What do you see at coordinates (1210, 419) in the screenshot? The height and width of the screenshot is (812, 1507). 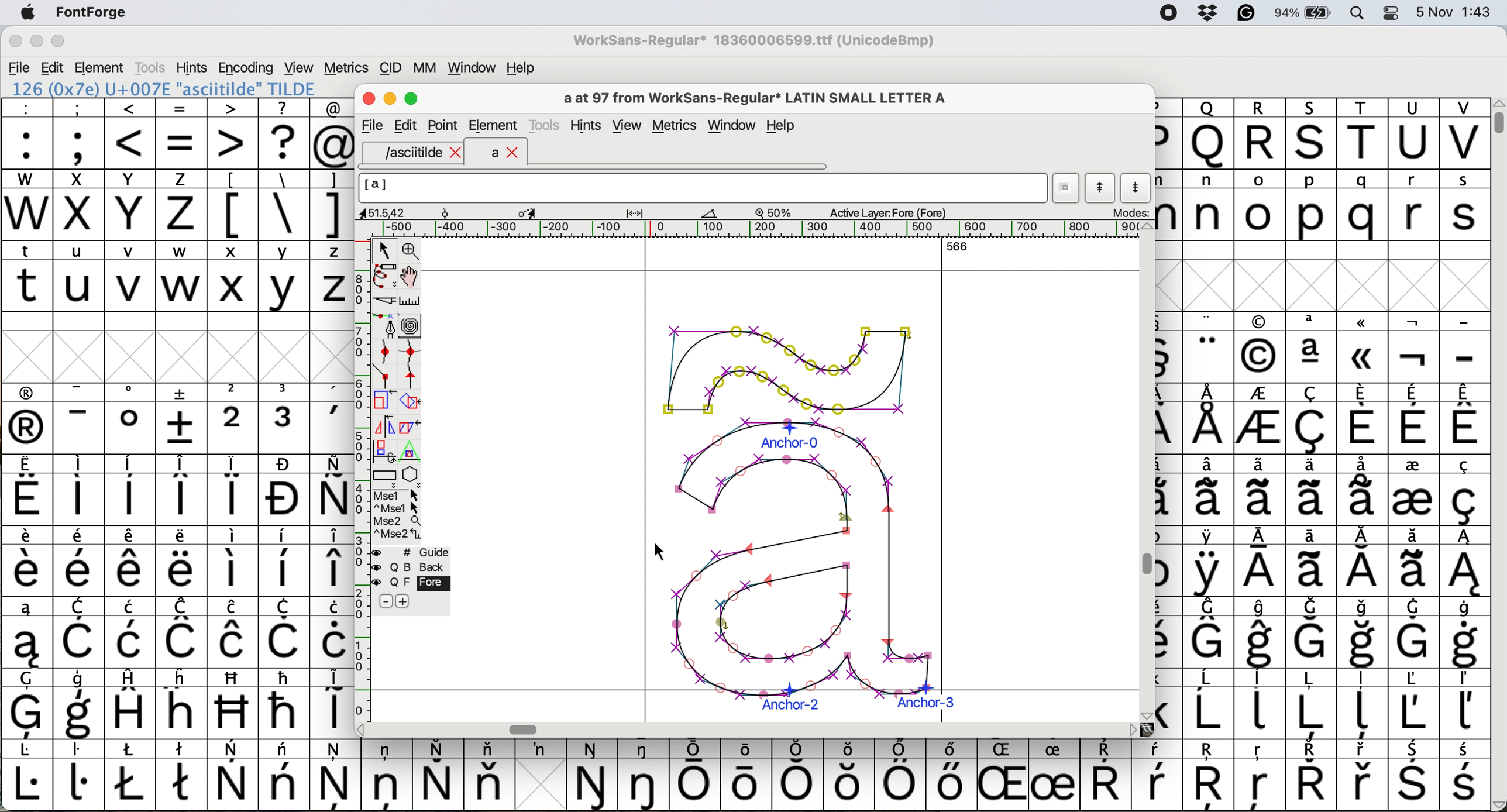 I see `symbol` at bounding box center [1210, 419].